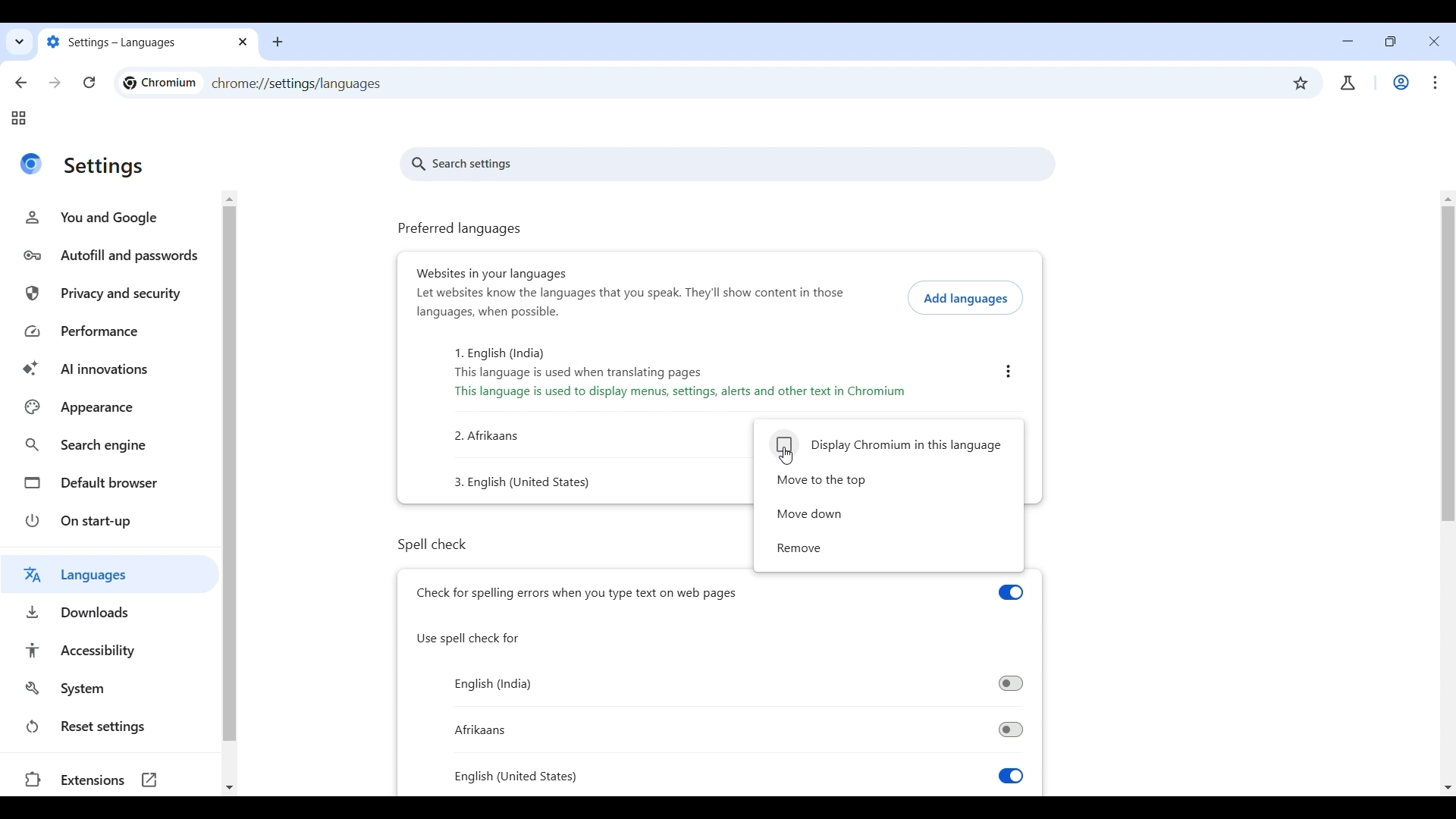 The image size is (1456, 819). Describe the element at coordinates (739, 731) in the screenshot. I see `Toggle for spell check in Afrikaans` at that location.